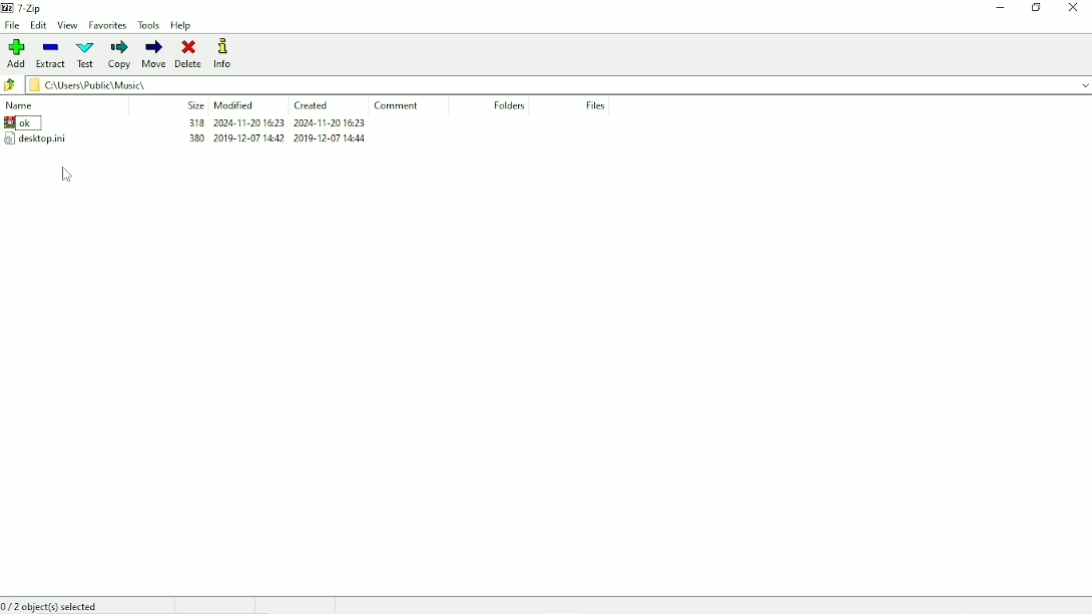 The height and width of the screenshot is (614, 1092). I want to click on Modified, so click(235, 105).